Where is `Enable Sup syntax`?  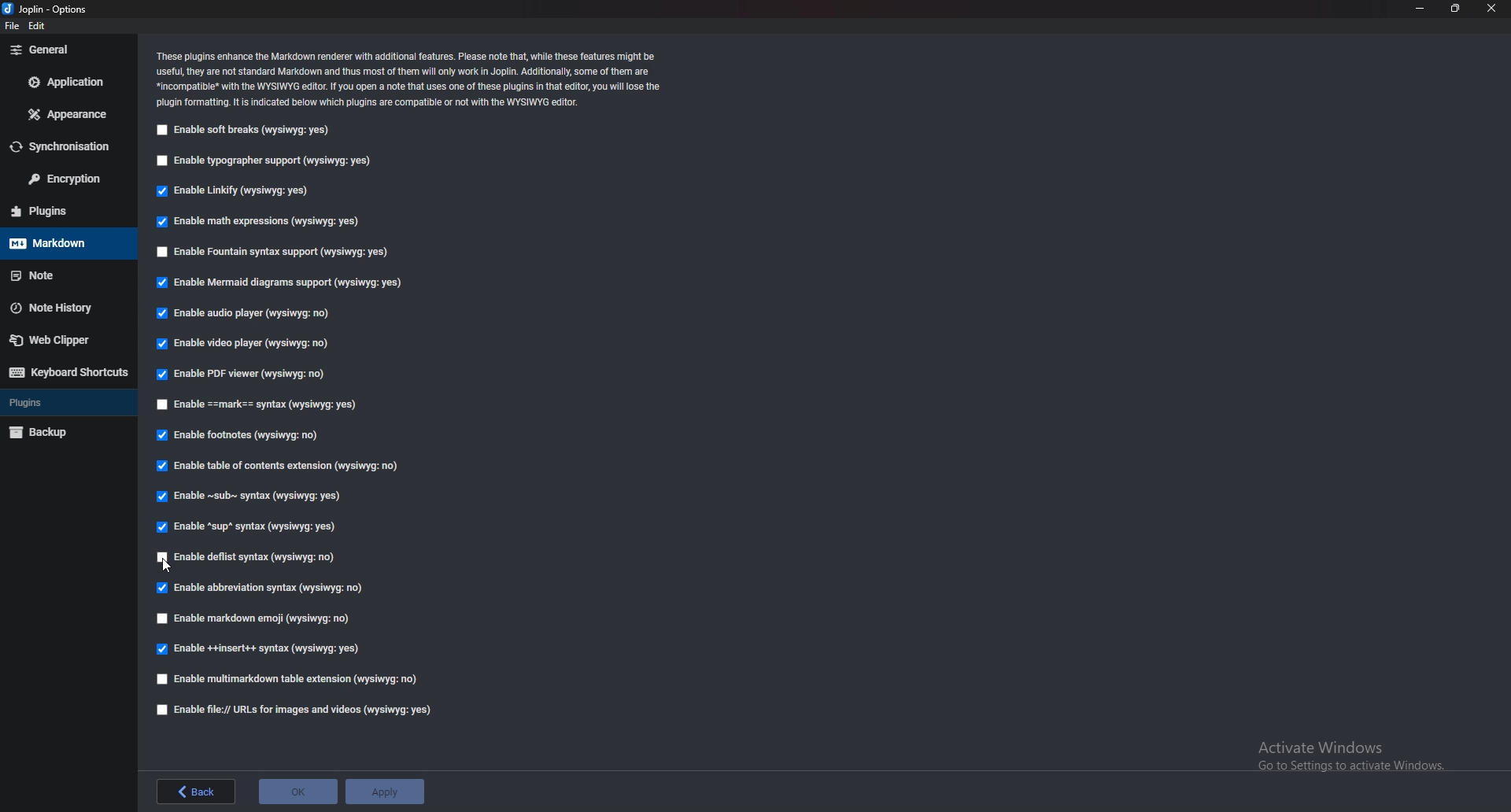 Enable Sup syntax is located at coordinates (250, 527).